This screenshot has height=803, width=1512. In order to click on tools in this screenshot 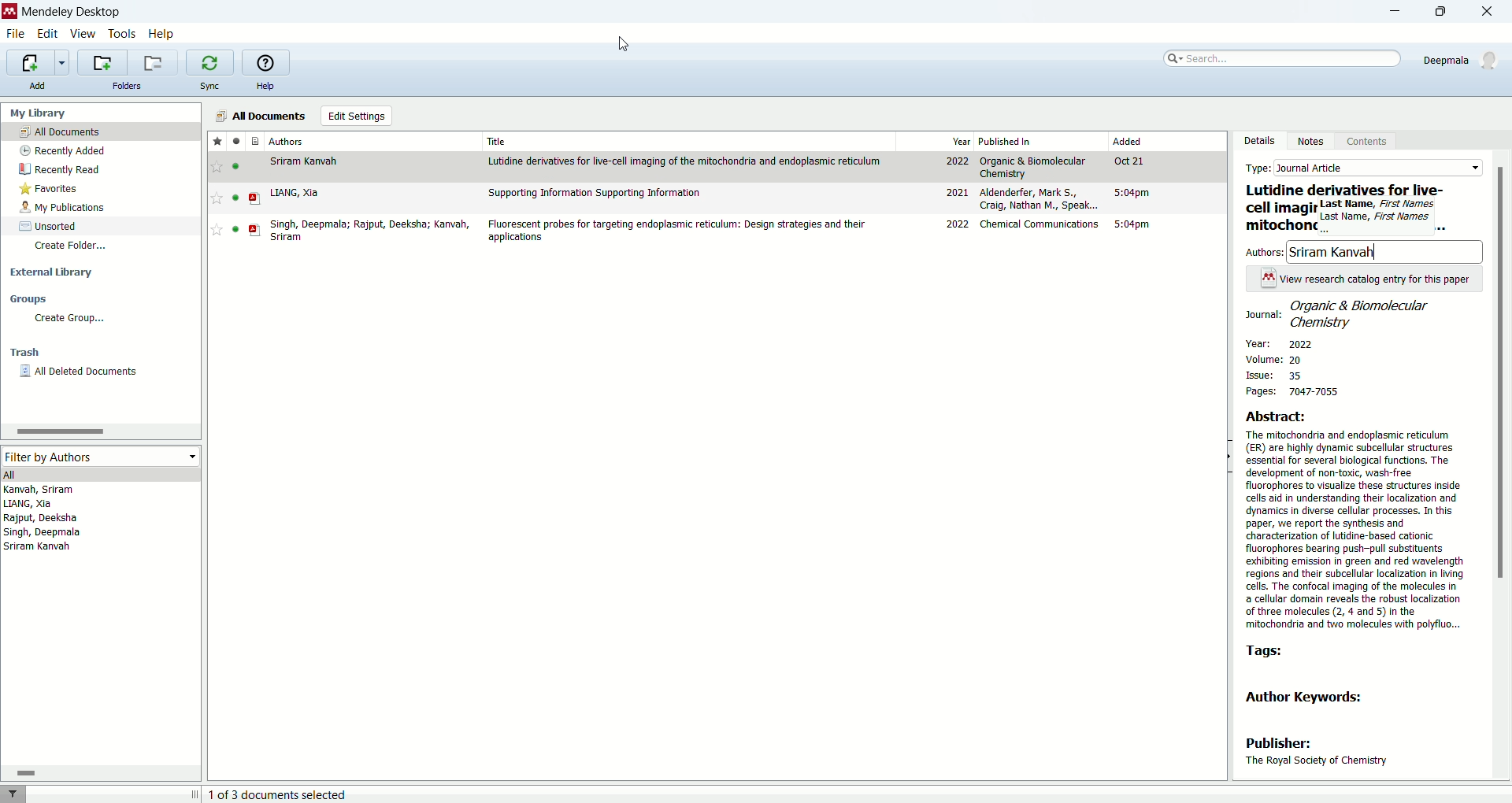, I will do `click(124, 35)`.